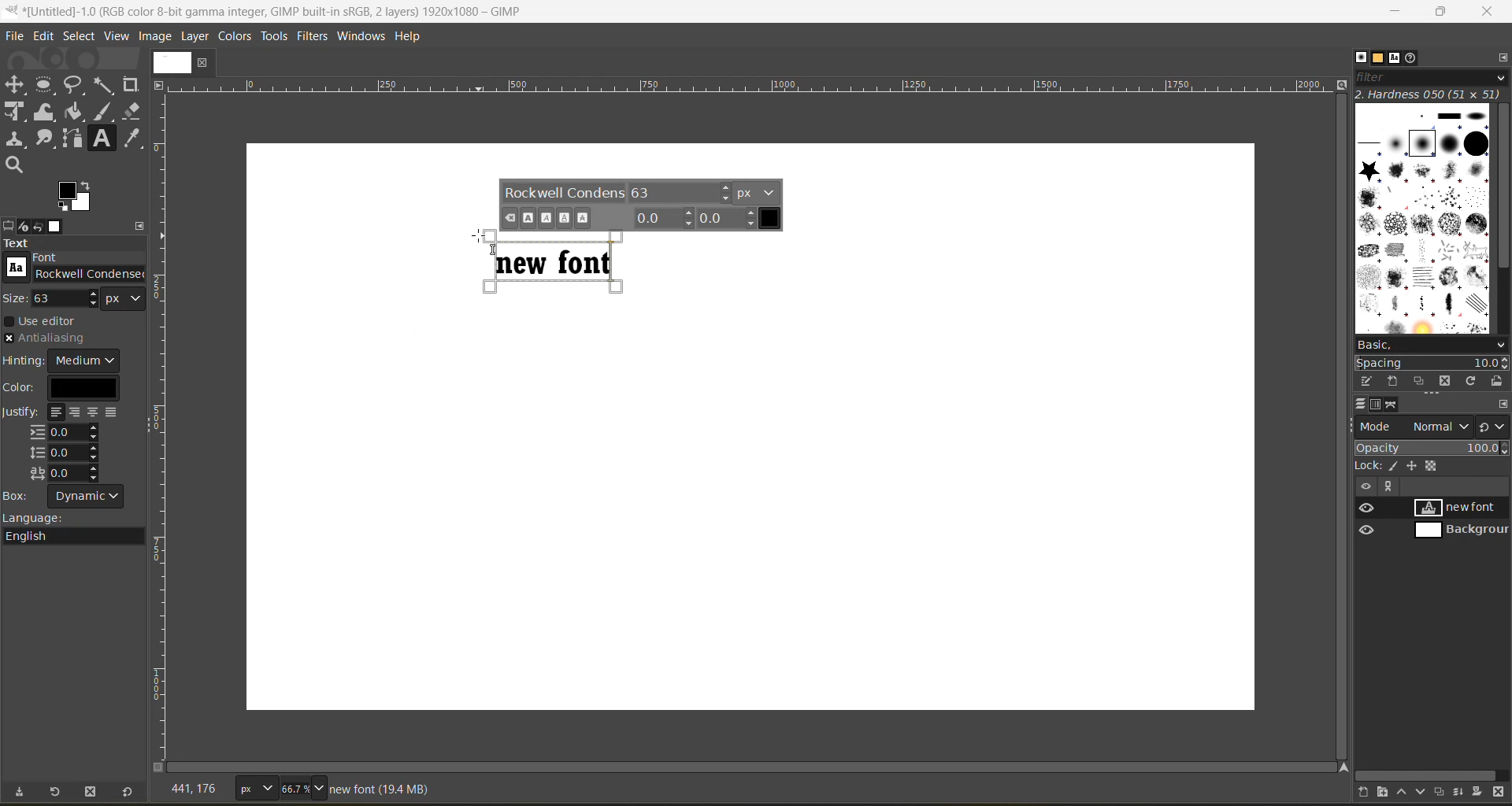  Describe the element at coordinates (235, 38) in the screenshot. I see `colors` at that location.